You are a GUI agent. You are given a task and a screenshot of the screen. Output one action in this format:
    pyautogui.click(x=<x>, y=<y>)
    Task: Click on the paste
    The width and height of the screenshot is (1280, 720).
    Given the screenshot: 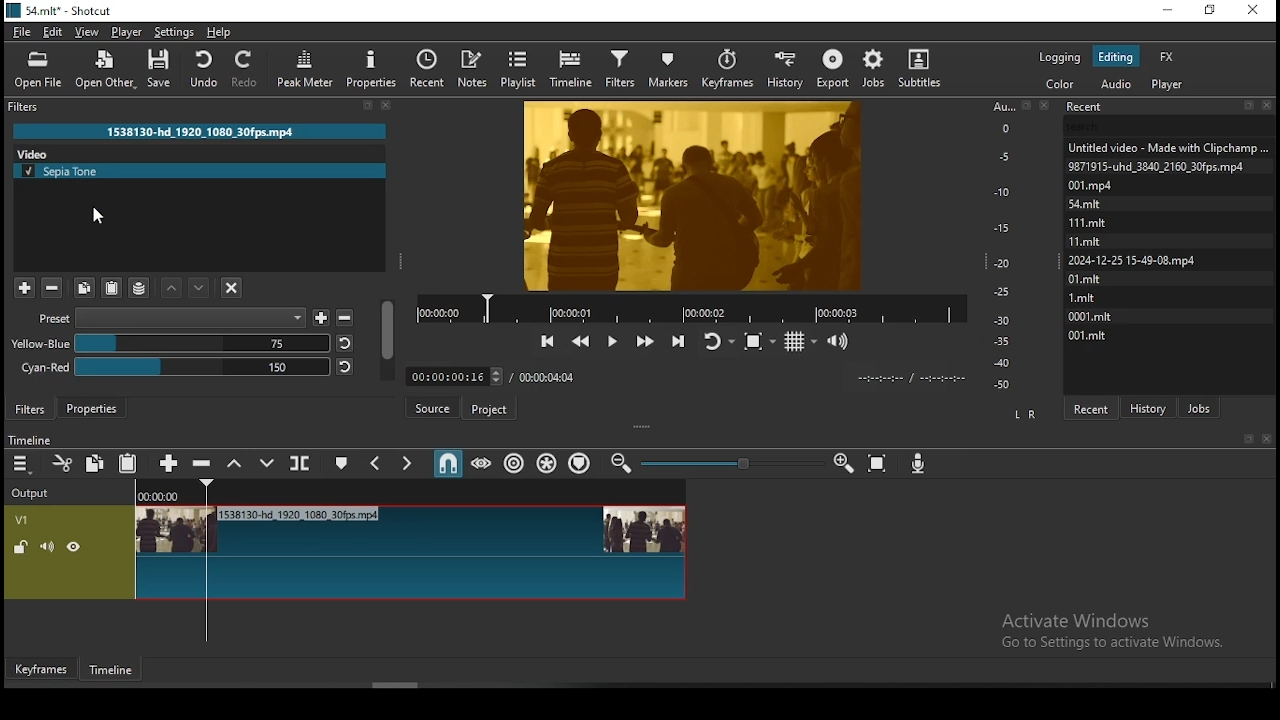 What is the action you would take?
    pyautogui.click(x=130, y=463)
    